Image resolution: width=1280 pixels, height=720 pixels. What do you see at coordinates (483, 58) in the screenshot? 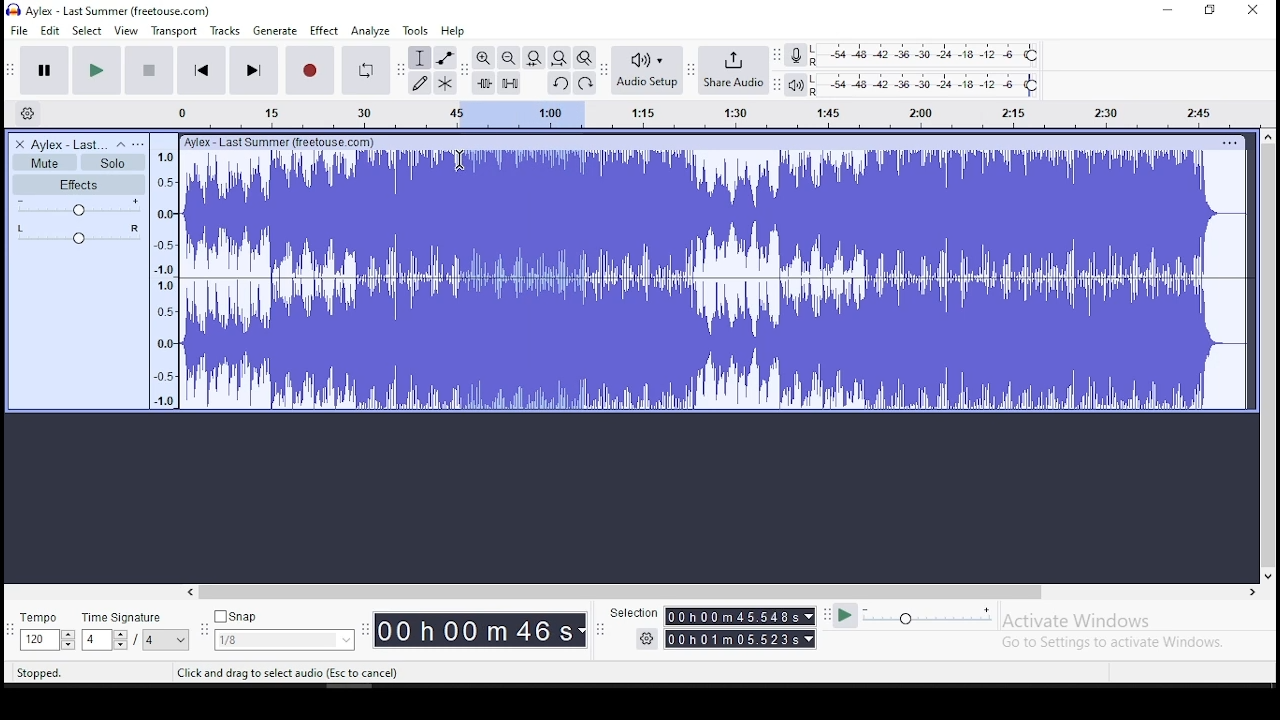
I see `zoom in` at bounding box center [483, 58].